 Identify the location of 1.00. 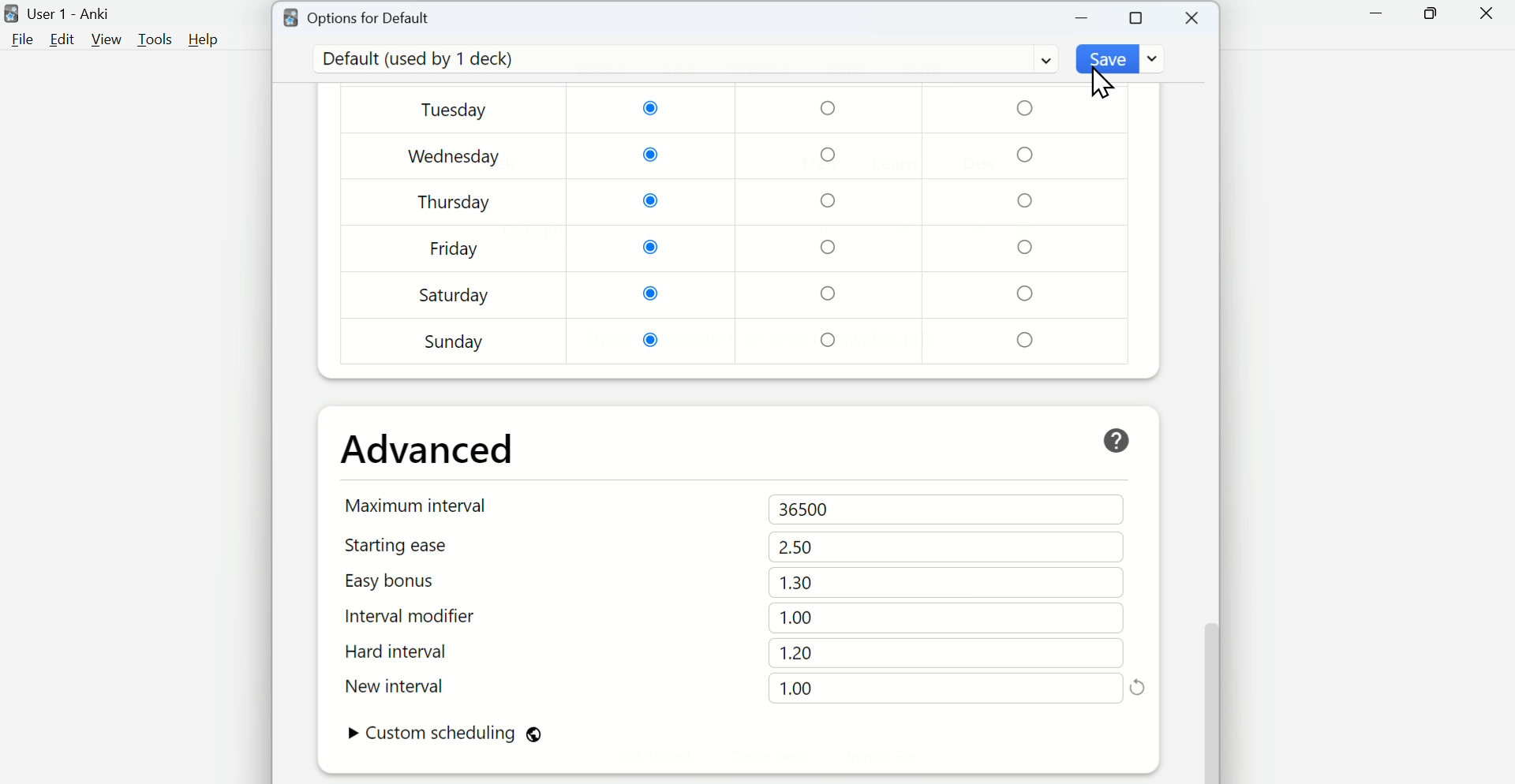
(796, 687).